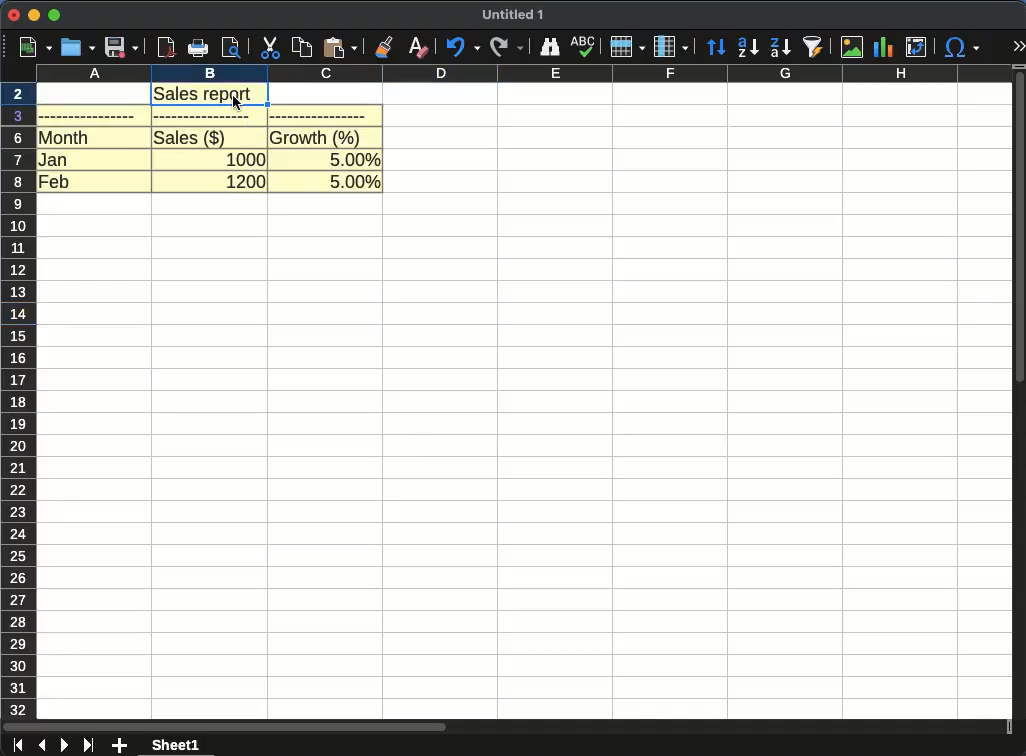 Image resolution: width=1026 pixels, height=756 pixels. What do you see at coordinates (548, 47) in the screenshot?
I see `finder` at bounding box center [548, 47].